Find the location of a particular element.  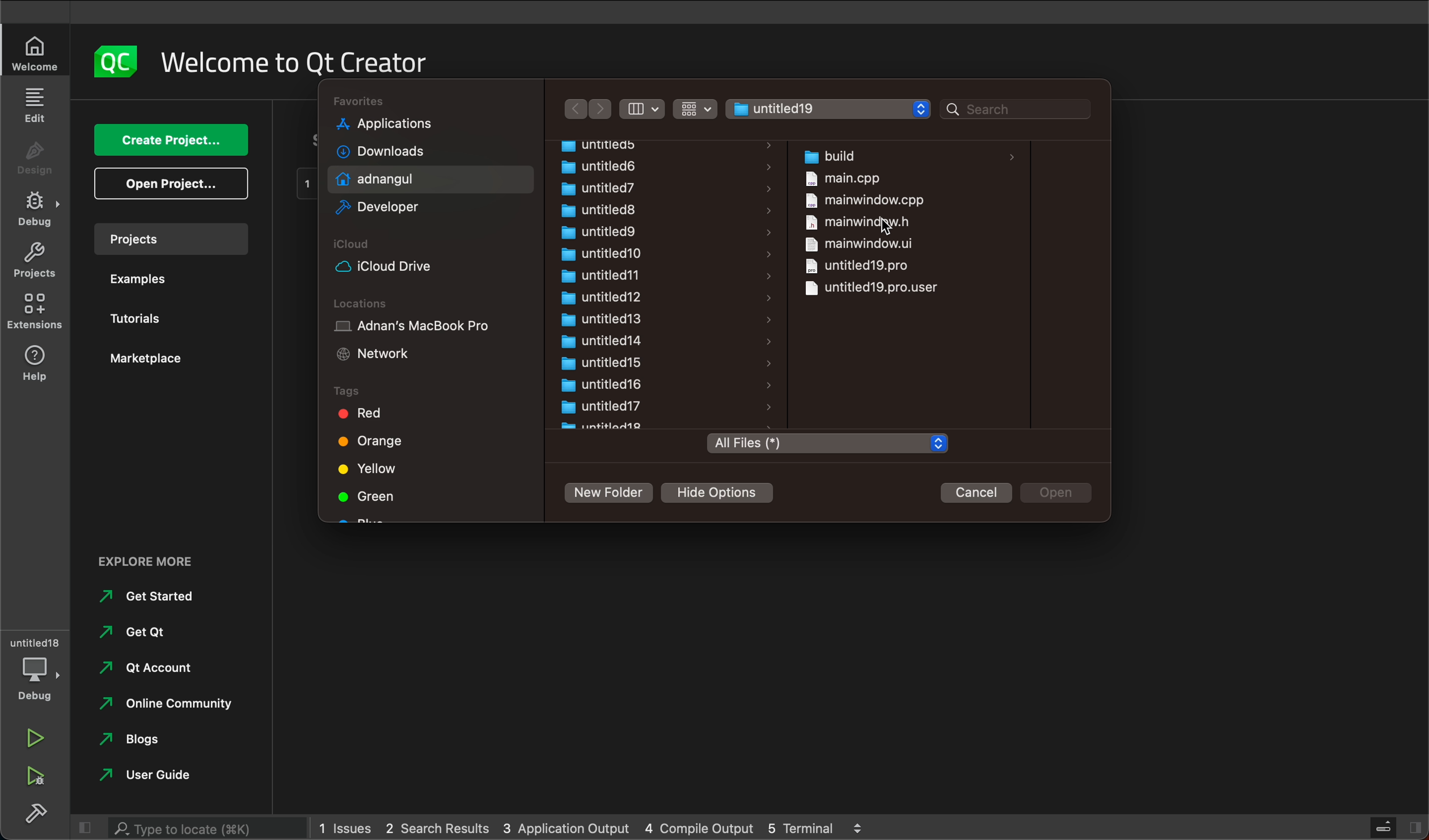

help is located at coordinates (35, 361).